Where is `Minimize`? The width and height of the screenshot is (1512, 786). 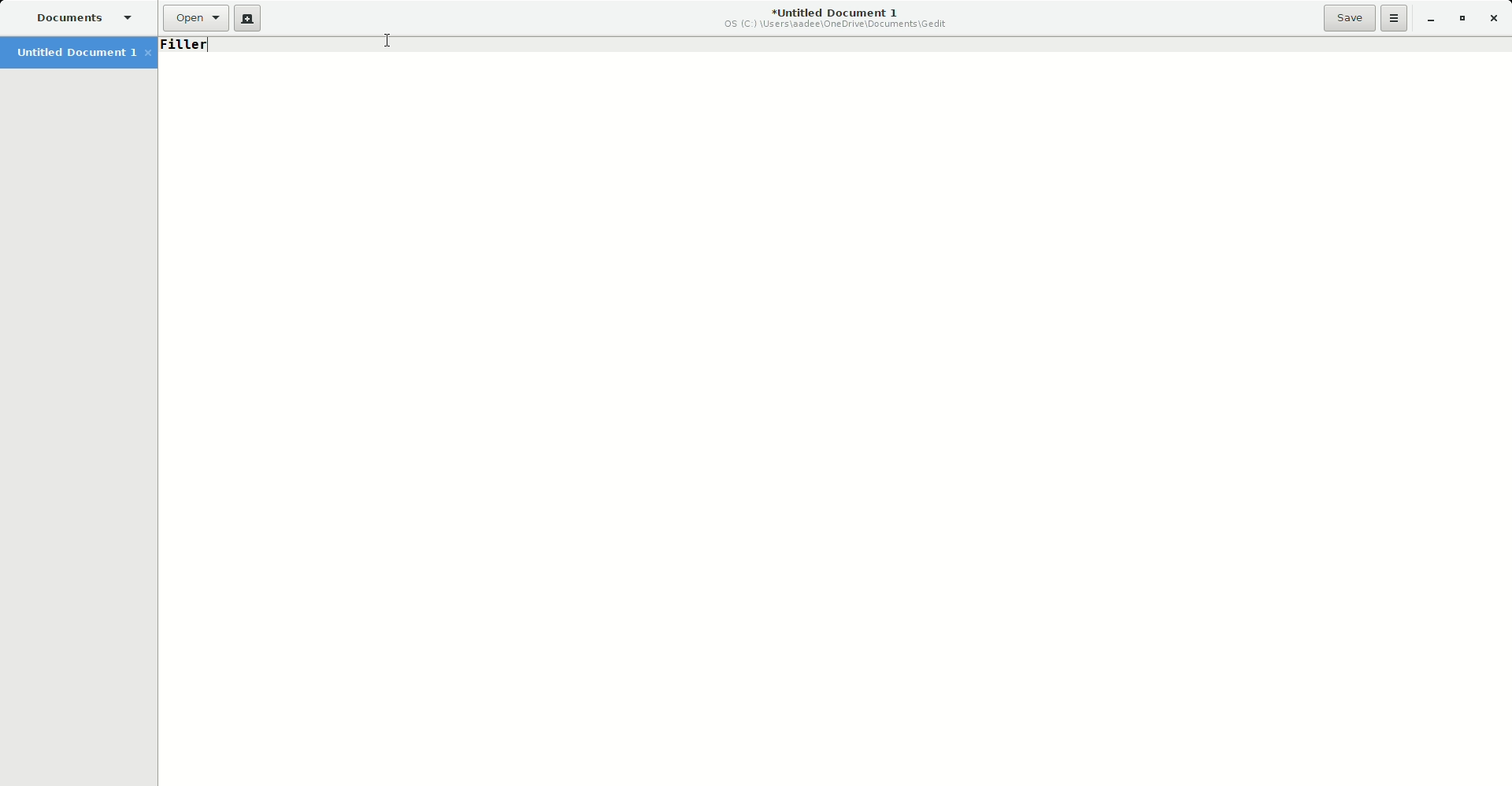
Minimize is located at coordinates (1429, 20).